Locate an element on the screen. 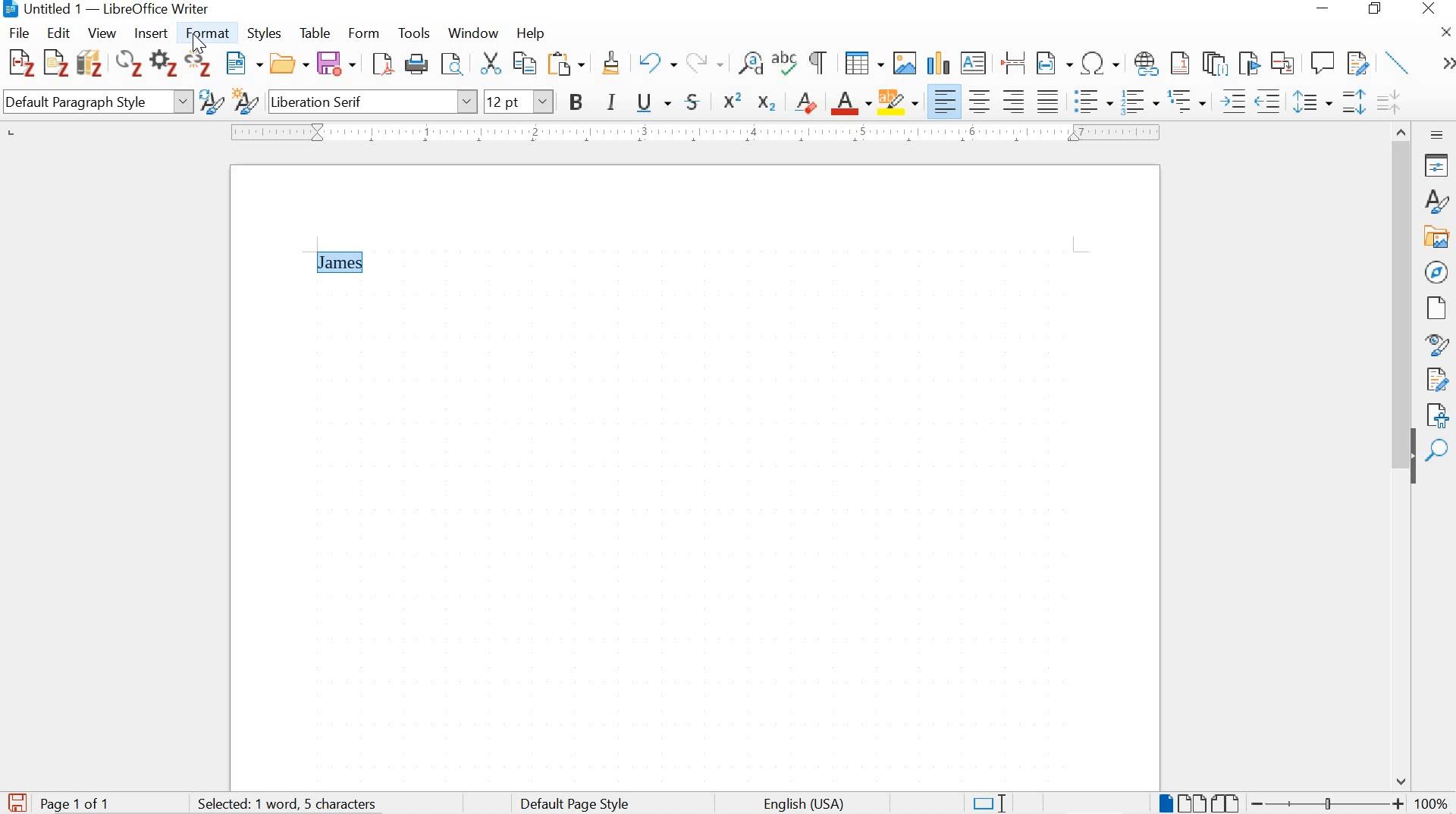  file is located at coordinates (20, 33).